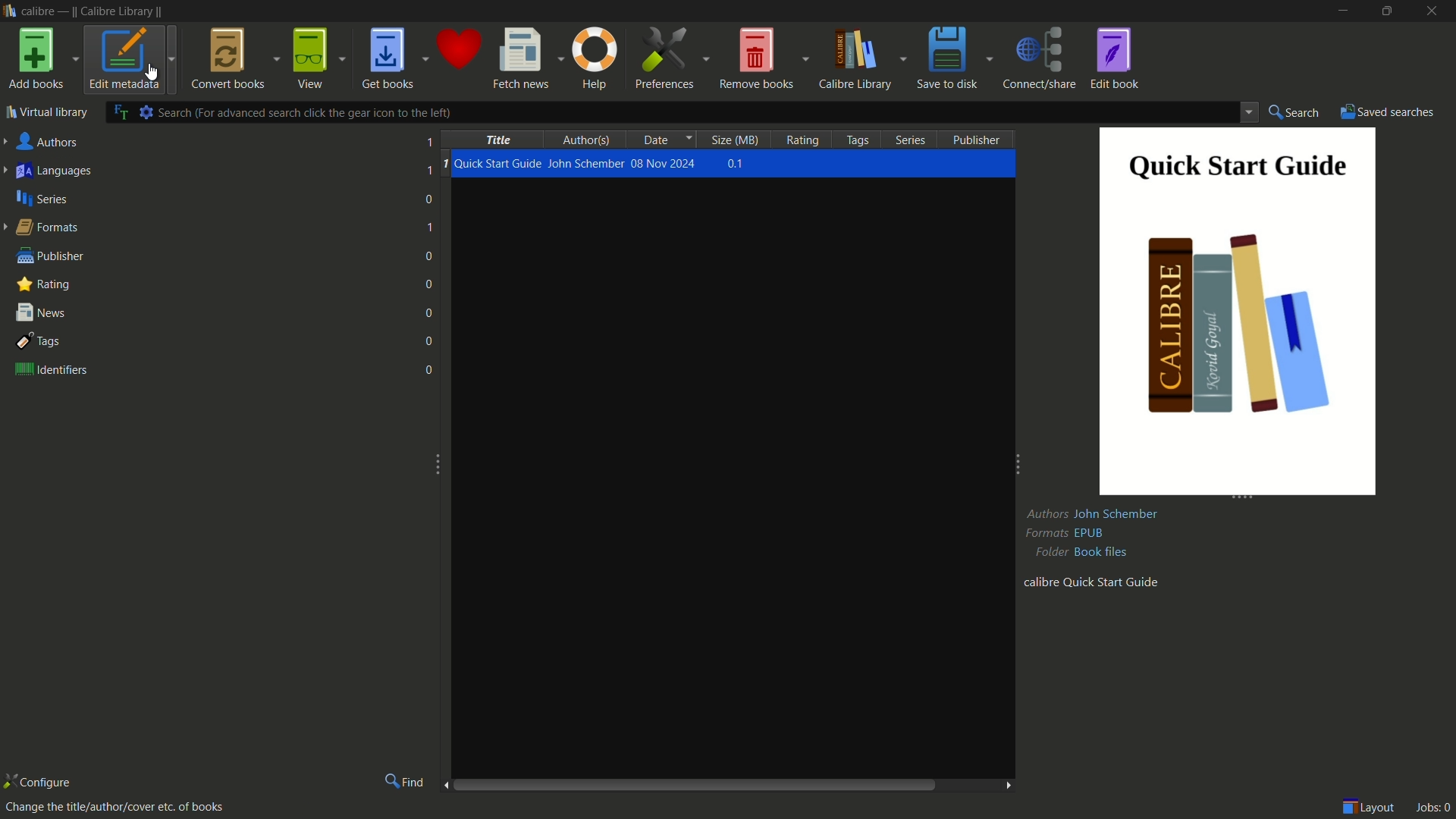 The height and width of the screenshot is (819, 1456). Describe the element at coordinates (736, 140) in the screenshot. I see `size` at that location.